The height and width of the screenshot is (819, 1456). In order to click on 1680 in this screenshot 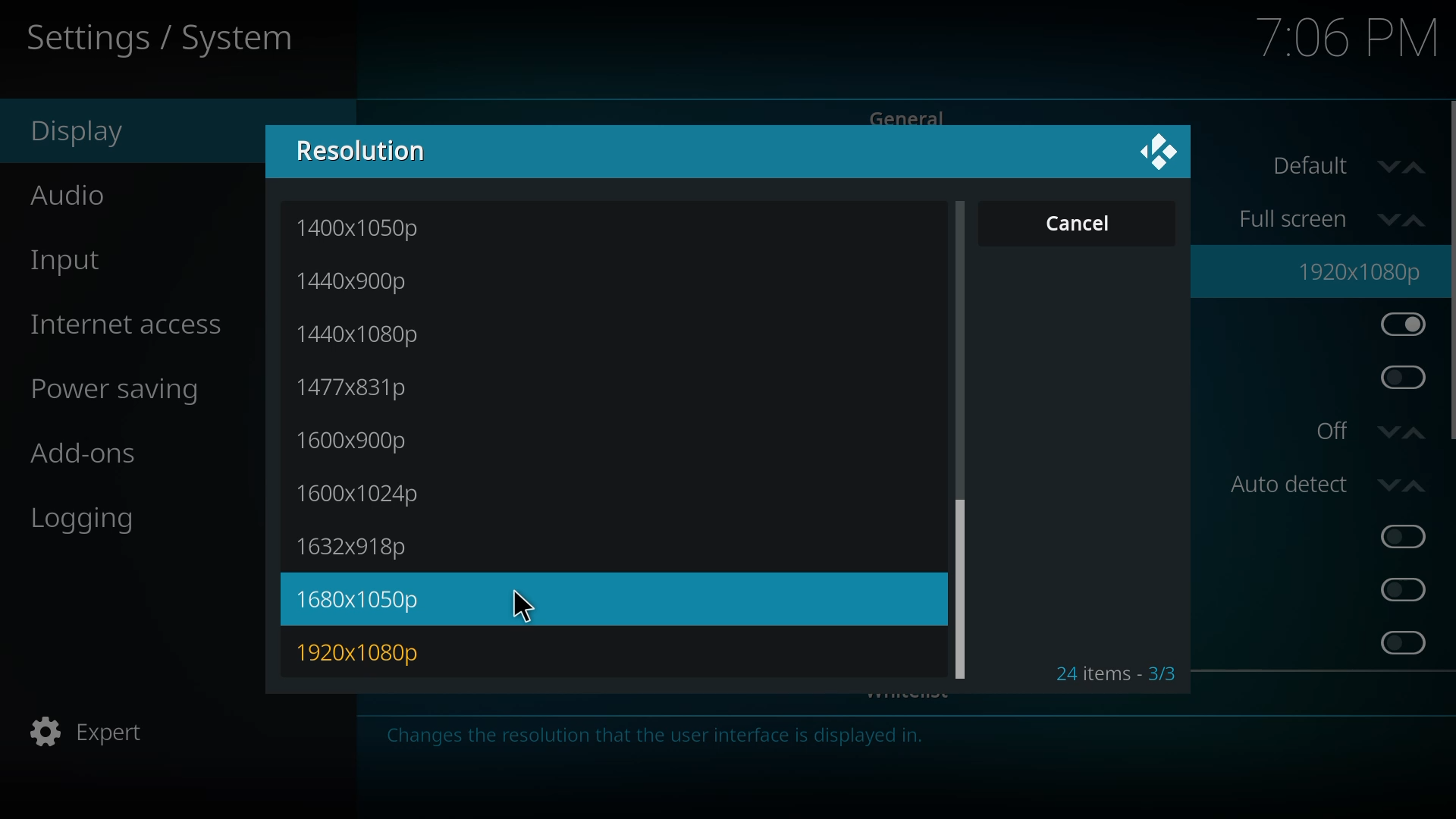, I will do `click(364, 603)`.